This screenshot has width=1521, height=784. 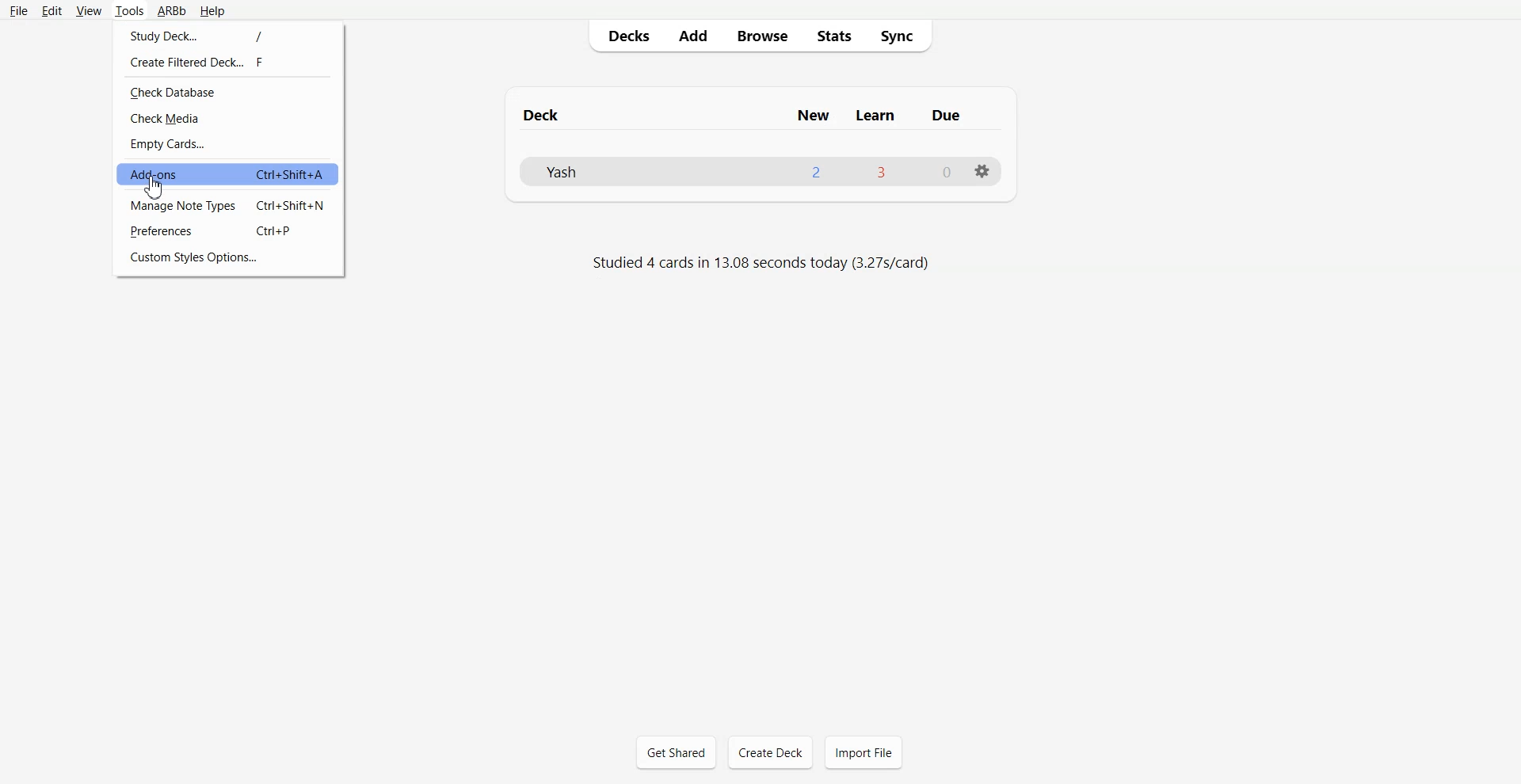 I want to click on Browse, so click(x=761, y=36).